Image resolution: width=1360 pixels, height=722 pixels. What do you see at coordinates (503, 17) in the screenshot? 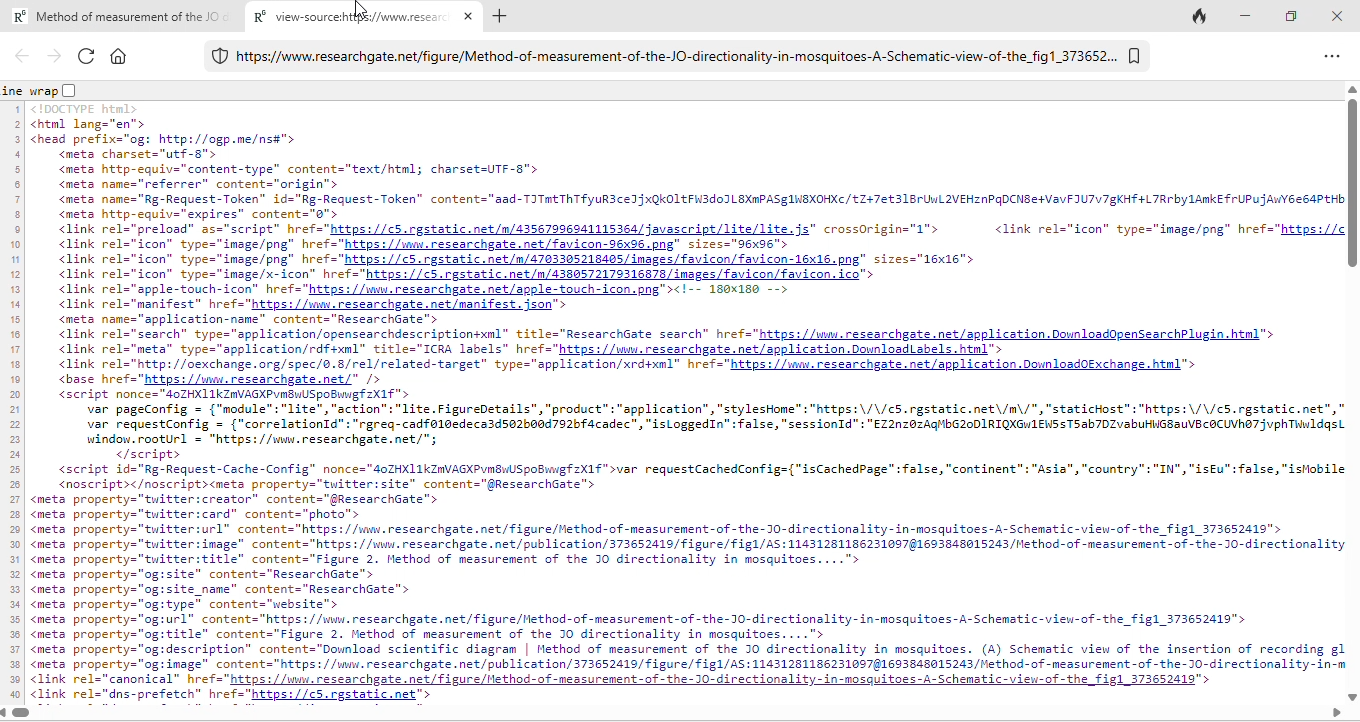
I see `add` at bounding box center [503, 17].